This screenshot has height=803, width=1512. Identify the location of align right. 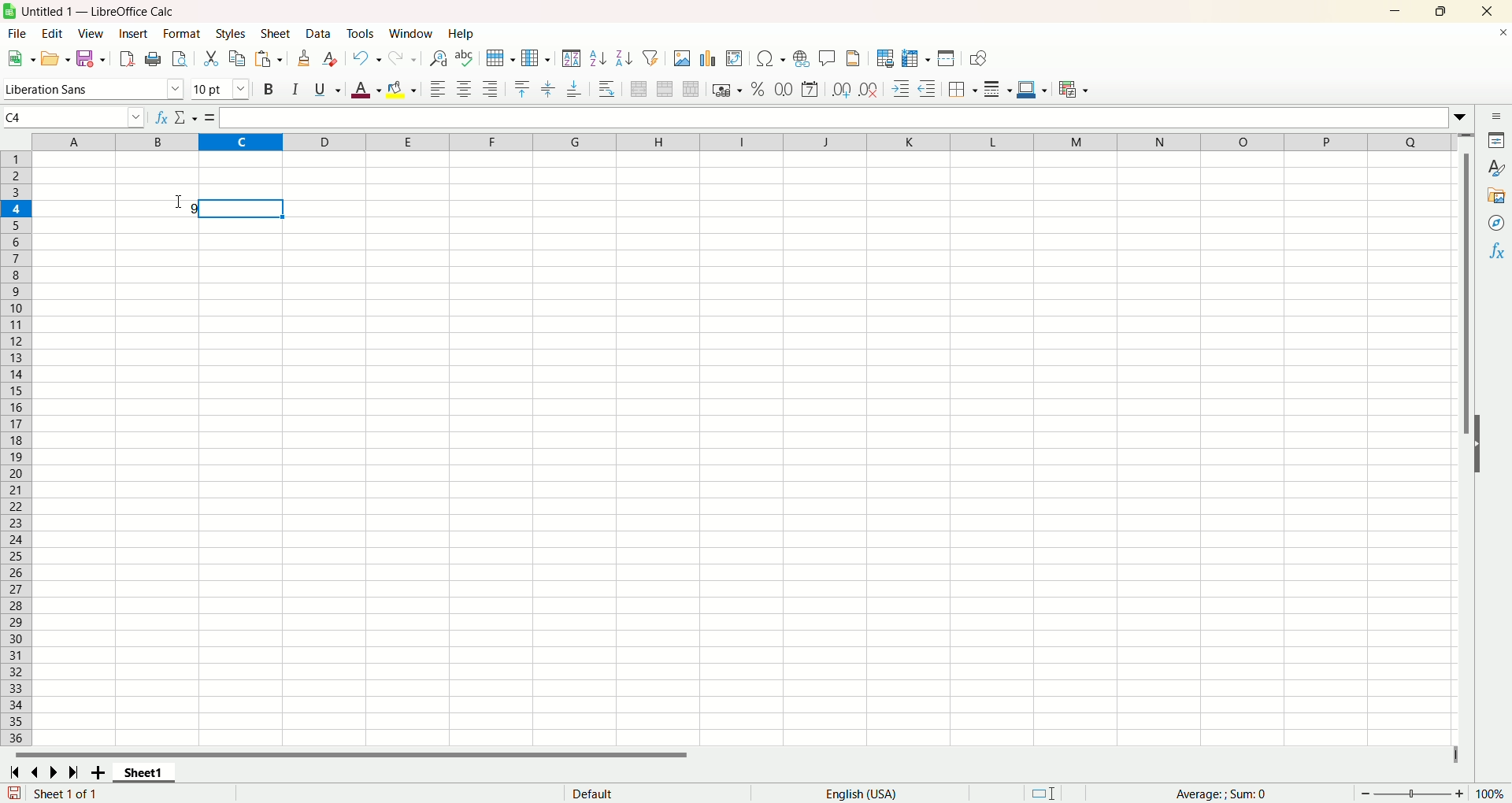
(492, 91).